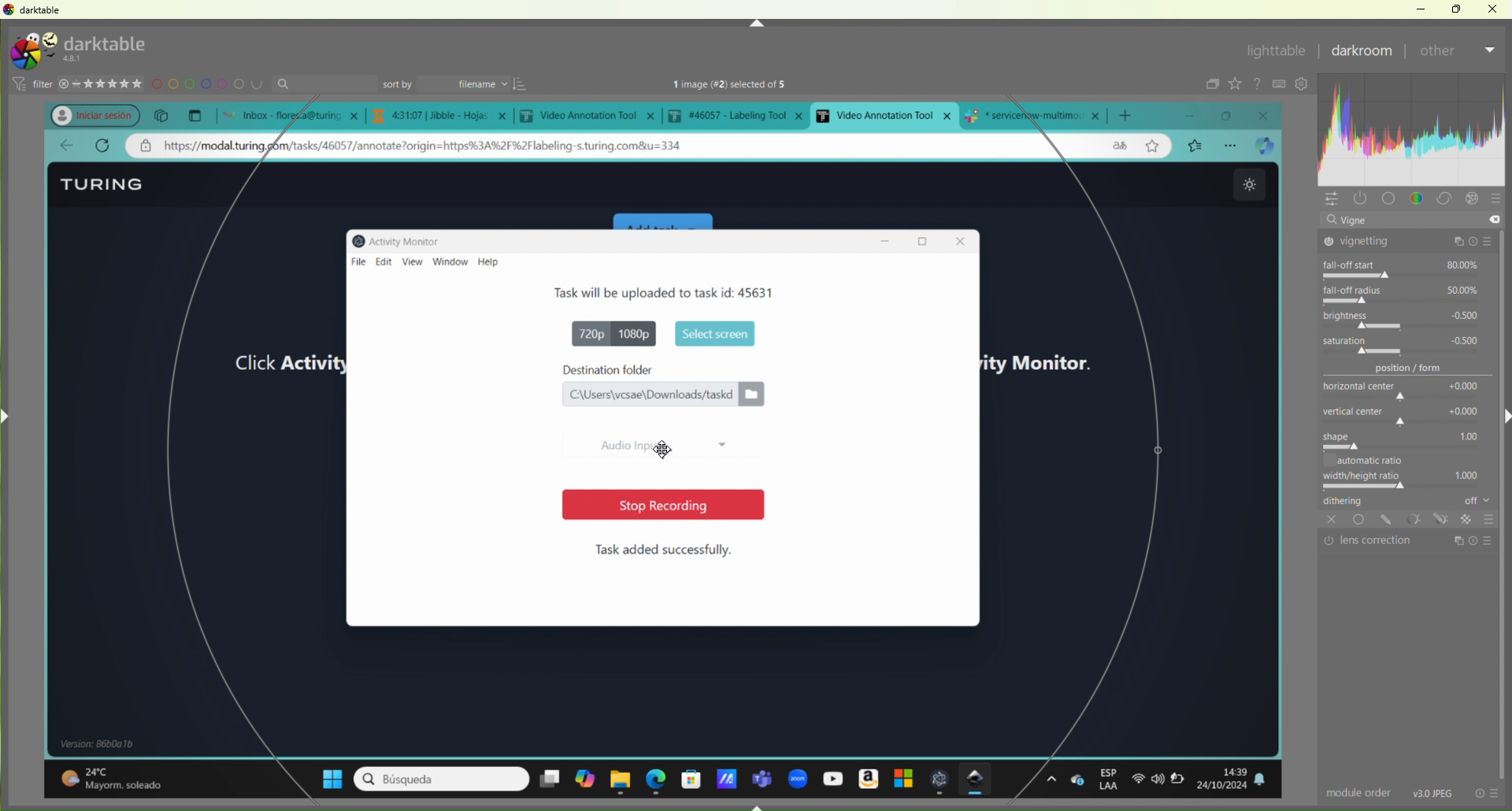 Image resolution: width=1512 pixels, height=811 pixels. I want to click on window, so click(451, 262).